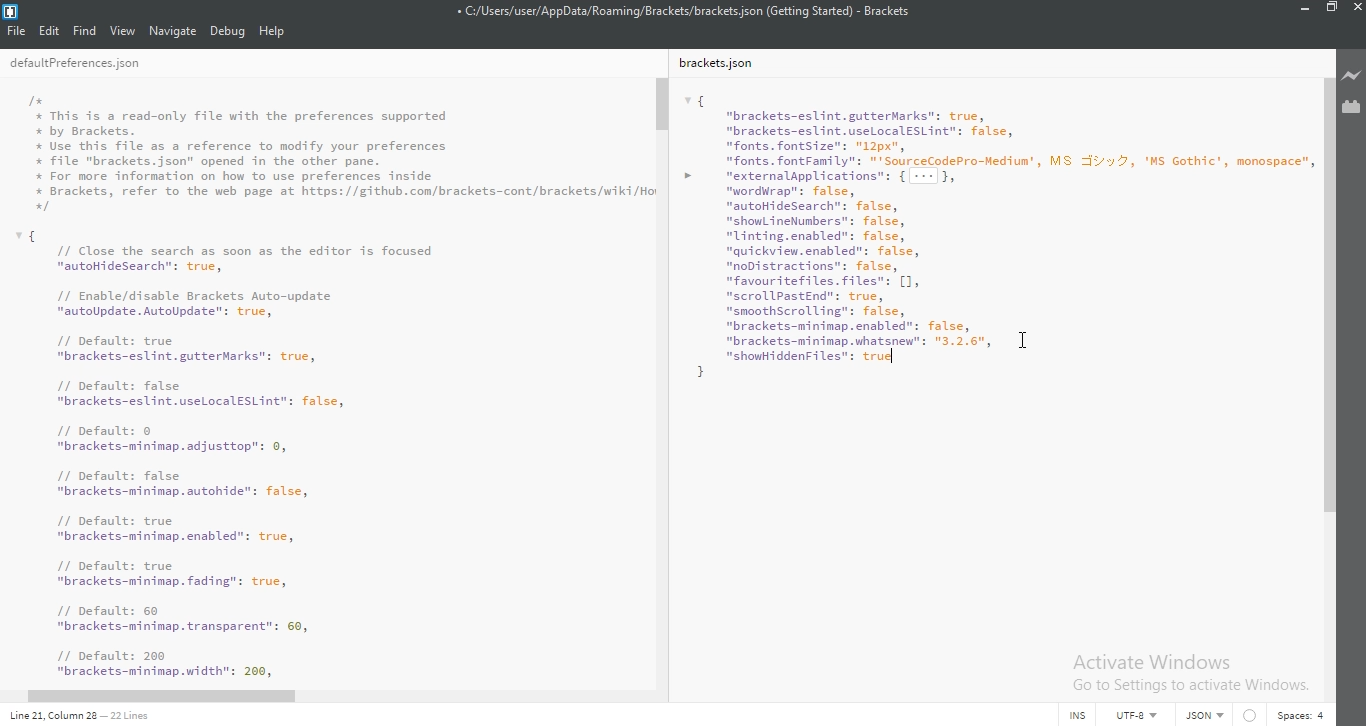  What do you see at coordinates (272, 32) in the screenshot?
I see `help` at bounding box center [272, 32].